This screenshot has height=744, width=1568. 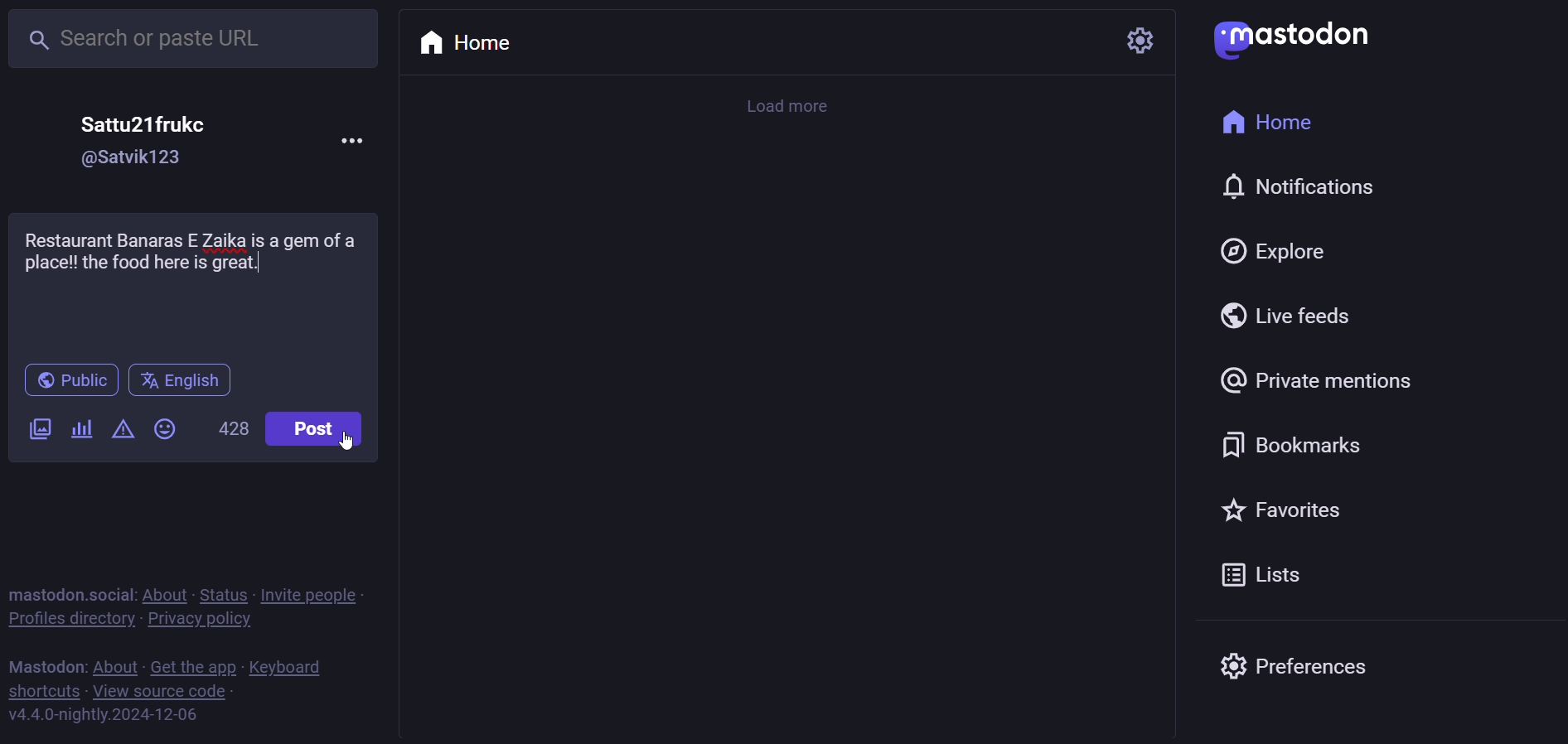 What do you see at coordinates (70, 619) in the screenshot?
I see `profiles` at bounding box center [70, 619].